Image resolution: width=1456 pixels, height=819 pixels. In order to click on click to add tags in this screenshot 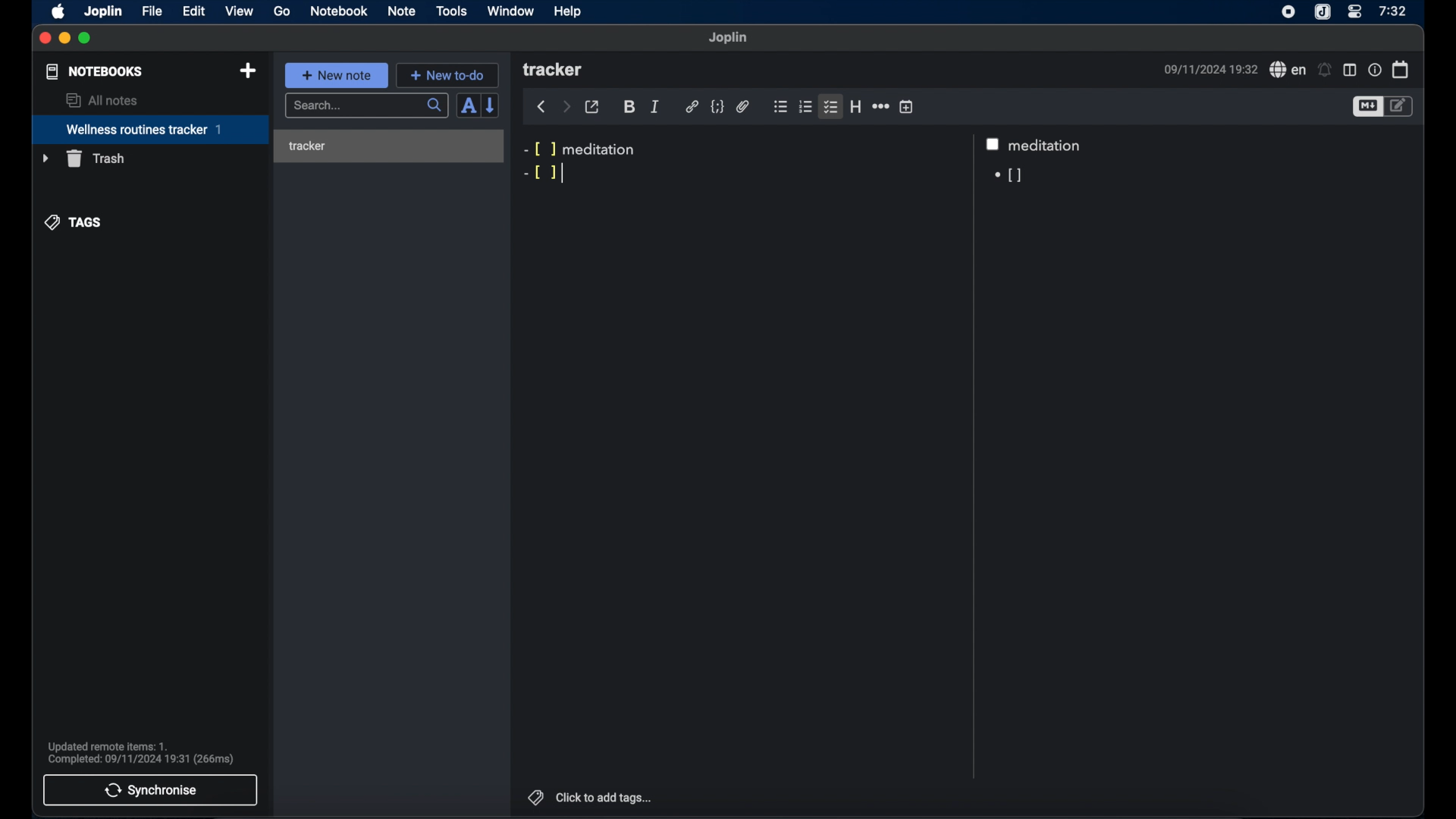, I will do `click(605, 797)`.